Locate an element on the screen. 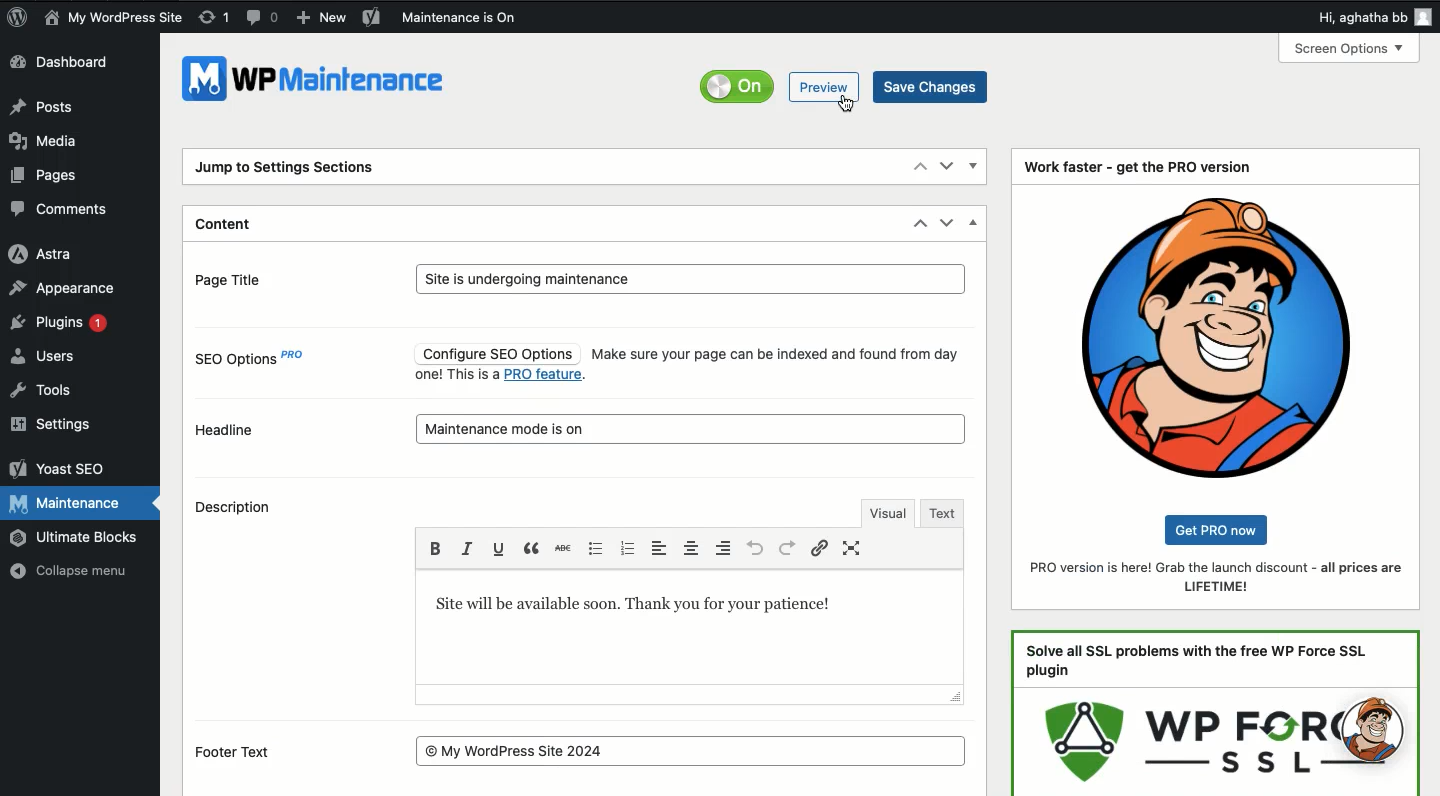 This screenshot has width=1440, height=796. one! This is a is located at coordinates (456, 375).